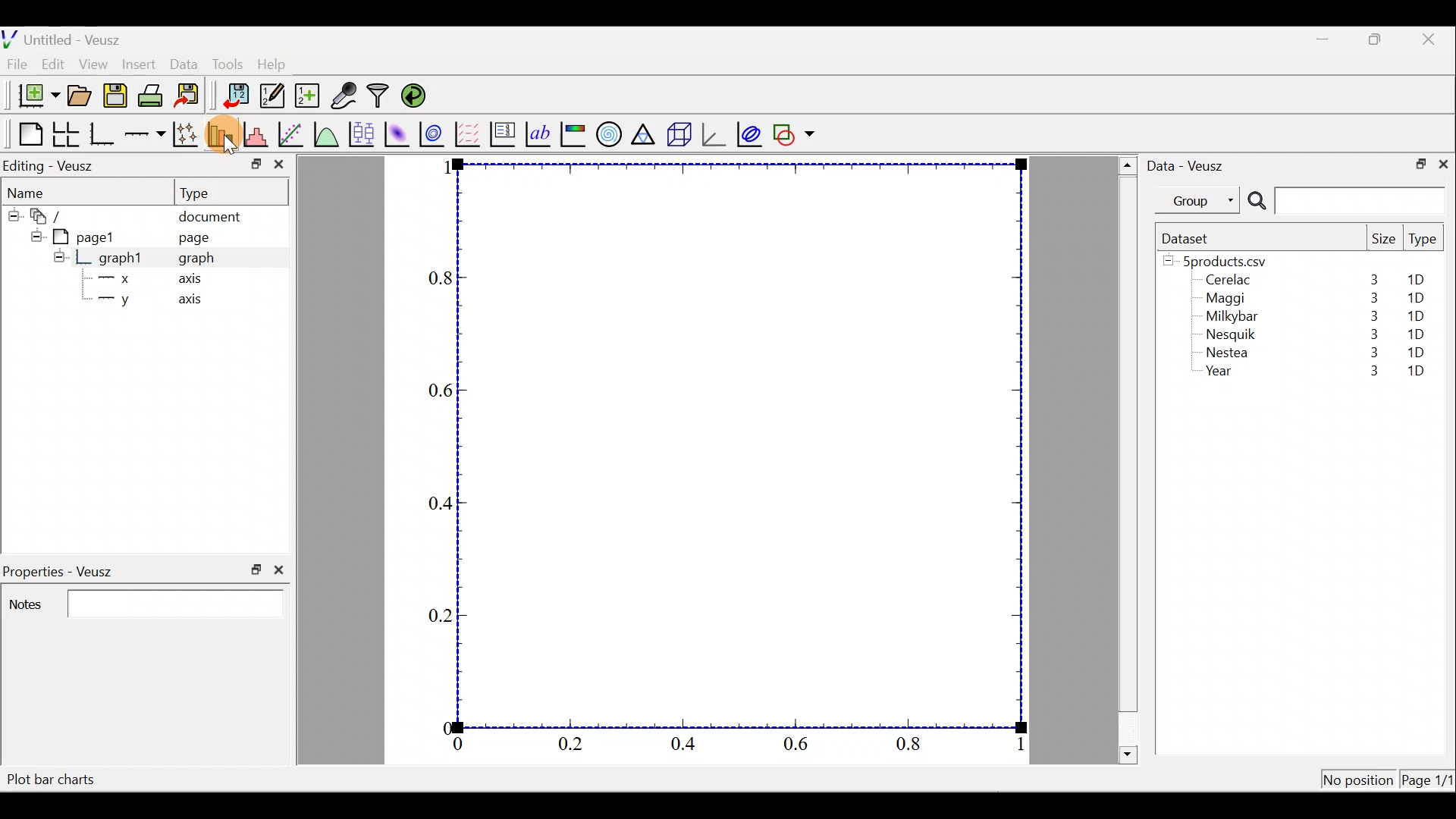 The height and width of the screenshot is (819, 1456). What do you see at coordinates (1430, 39) in the screenshot?
I see `close` at bounding box center [1430, 39].